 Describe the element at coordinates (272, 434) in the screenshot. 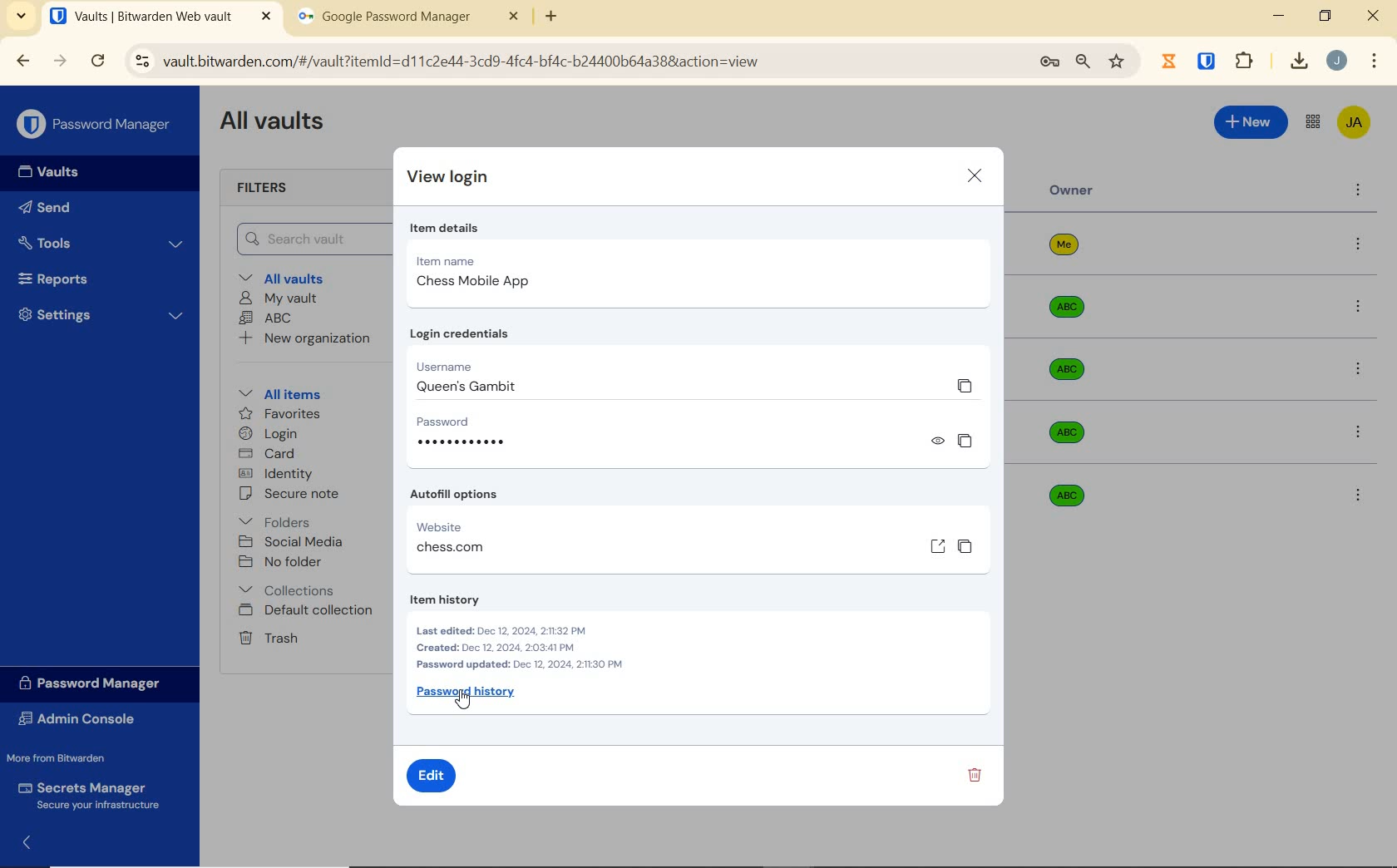

I see `login` at that location.